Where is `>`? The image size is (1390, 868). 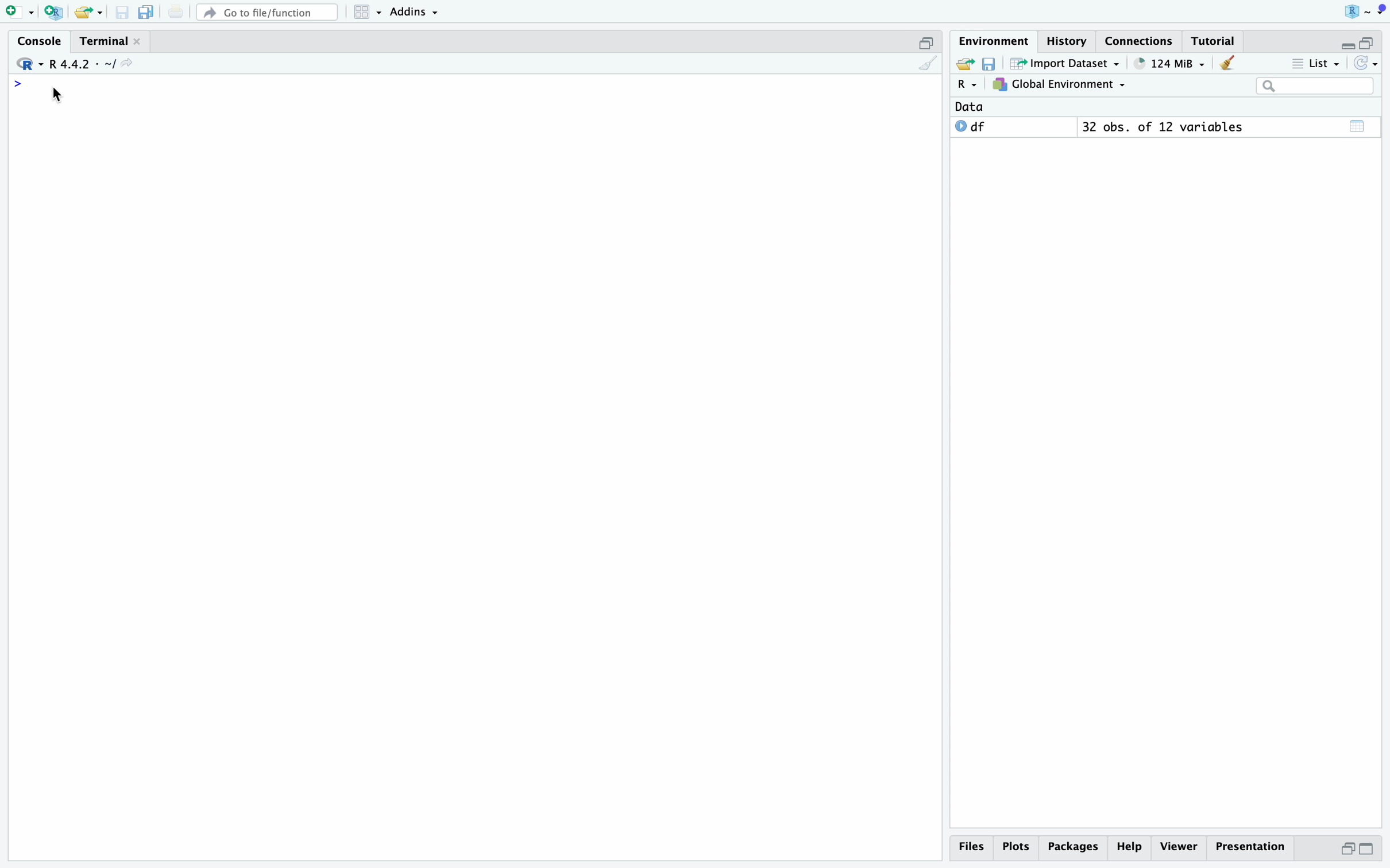 > is located at coordinates (18, 84).